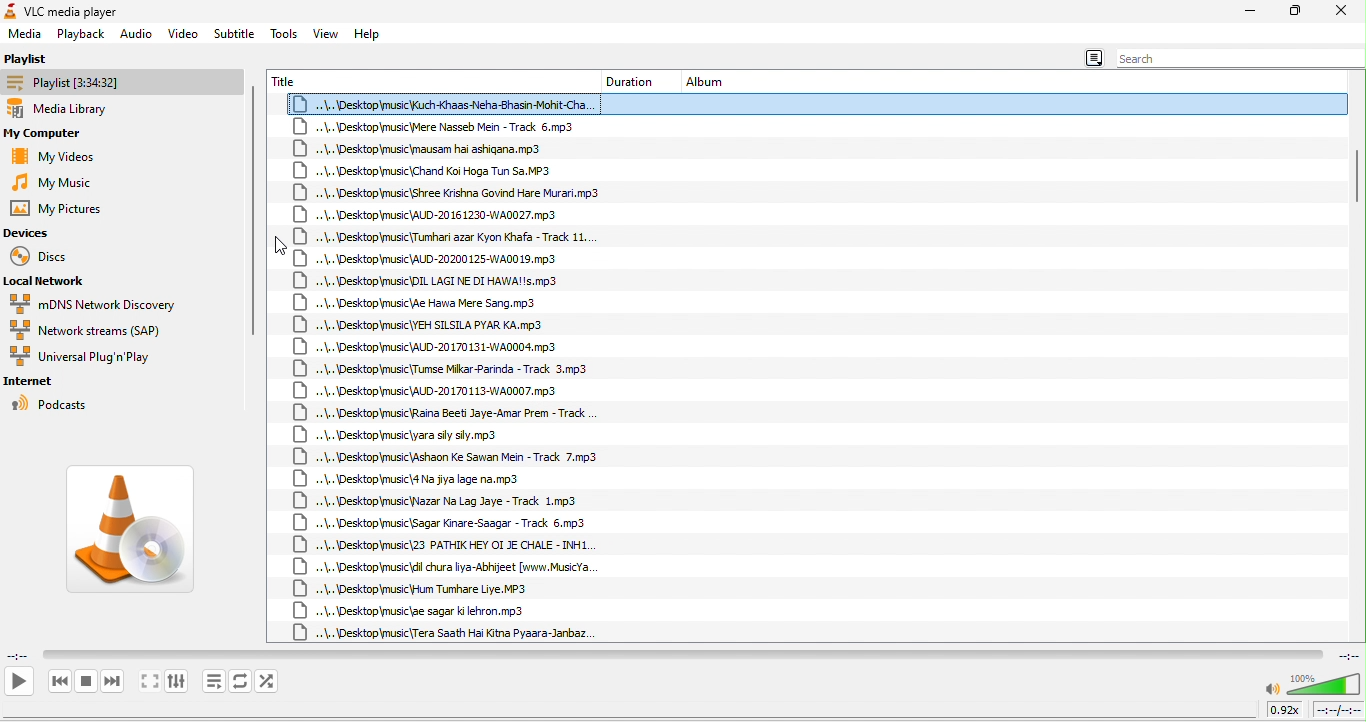 Image resolution: width=1366 pixels, height=722 pixels. What do you see at coordinates (25, 35) in the screenshot?
I see `media` at bounding box center [25, 35].